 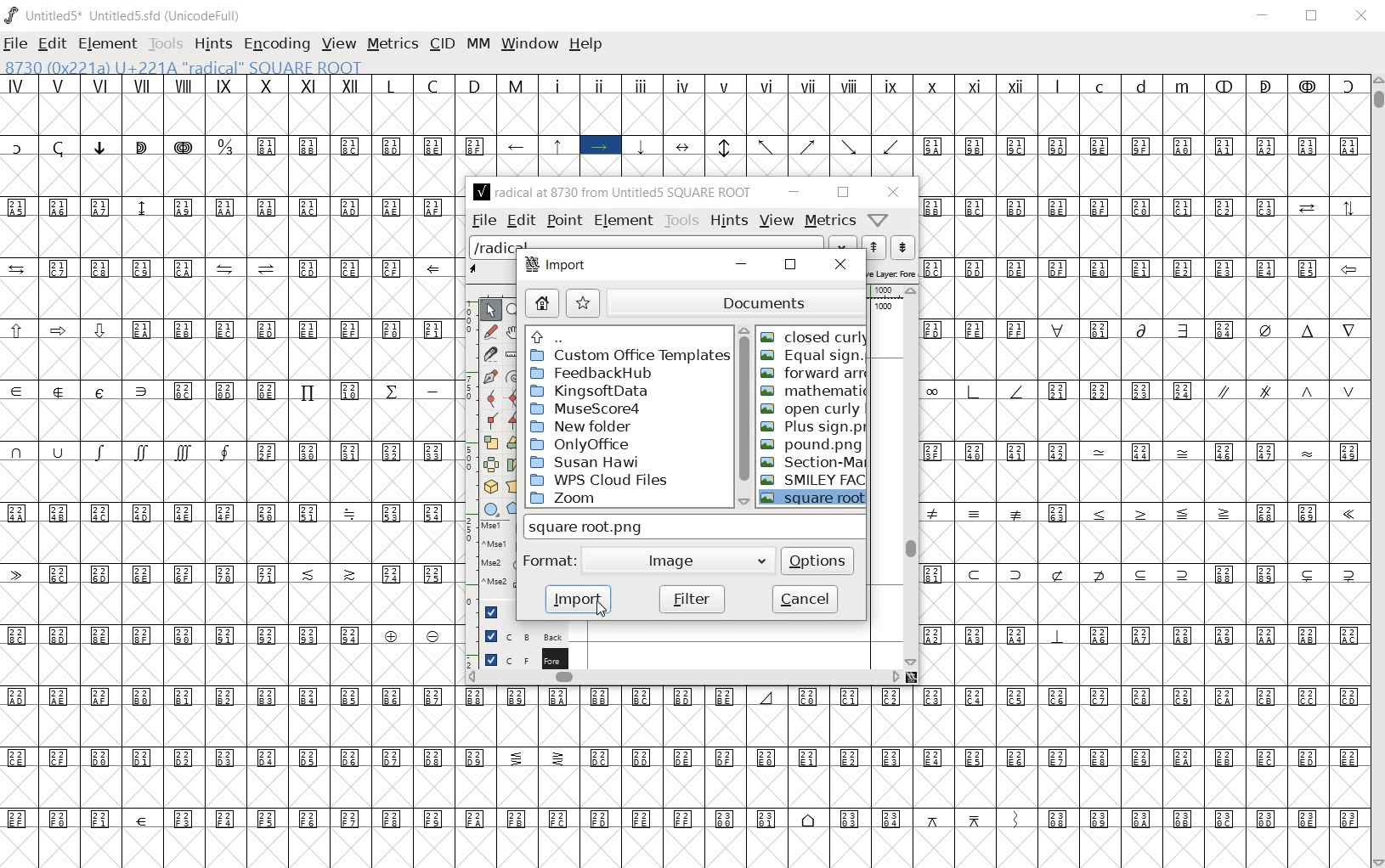 What do you see at coordinates (520, 221) in the screenshot?
I see `edit` at bounding box center [520, 221].